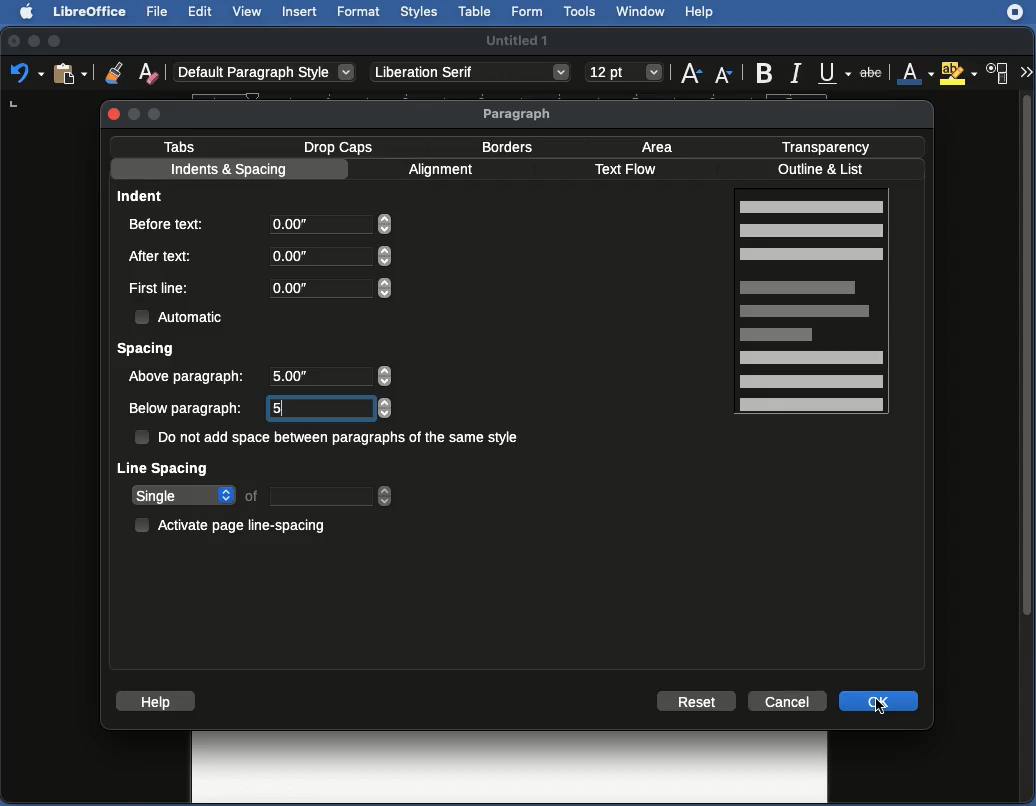 The width and height of the screenshot is (1036, 806). What do you see at coordinates (189, 376) in the screenshot?
I see `Above paragraph` at bounding box center [189, 376].